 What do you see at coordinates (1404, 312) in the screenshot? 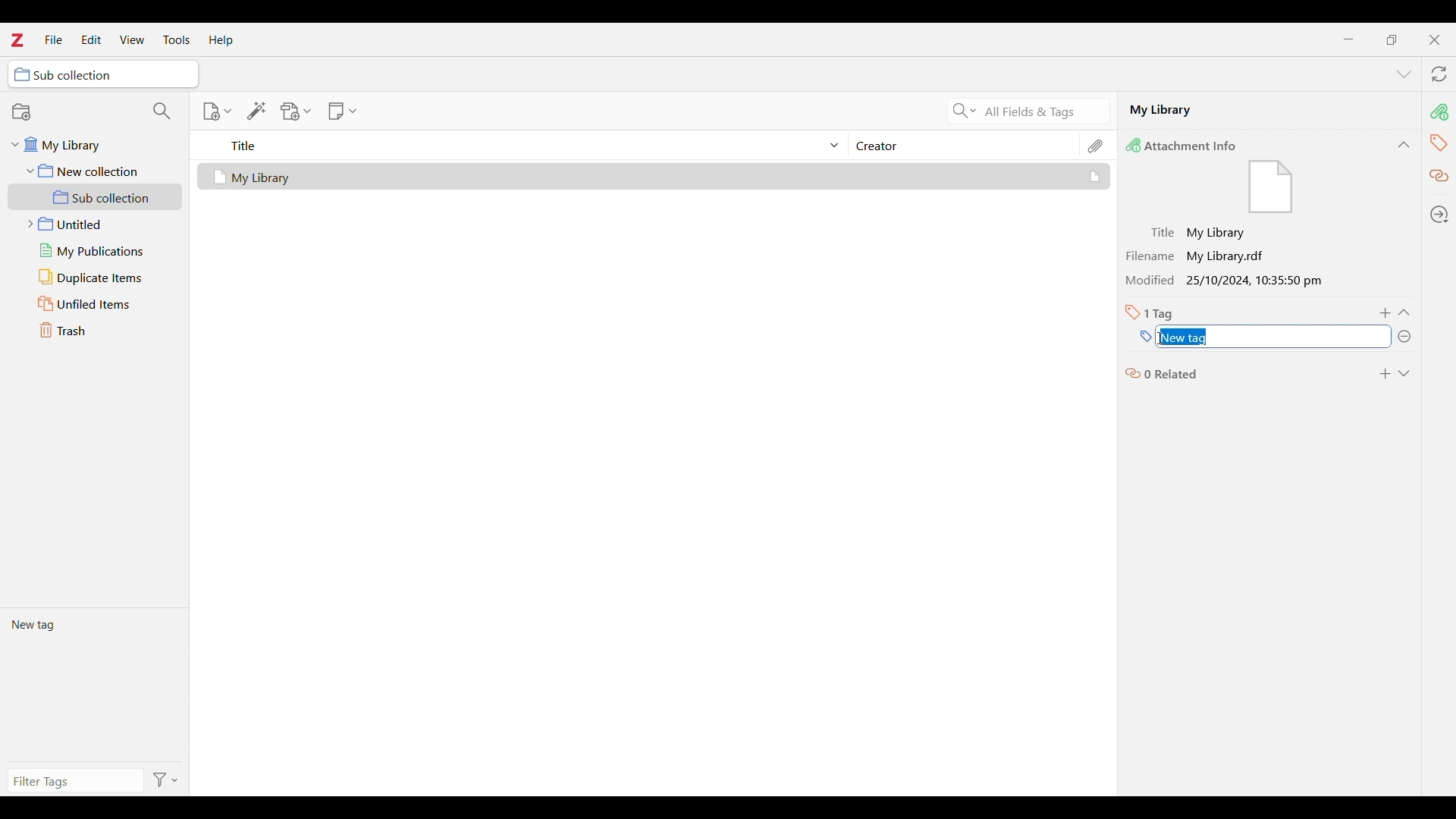
I see `Collapse` at bounding box center [1404, 312].